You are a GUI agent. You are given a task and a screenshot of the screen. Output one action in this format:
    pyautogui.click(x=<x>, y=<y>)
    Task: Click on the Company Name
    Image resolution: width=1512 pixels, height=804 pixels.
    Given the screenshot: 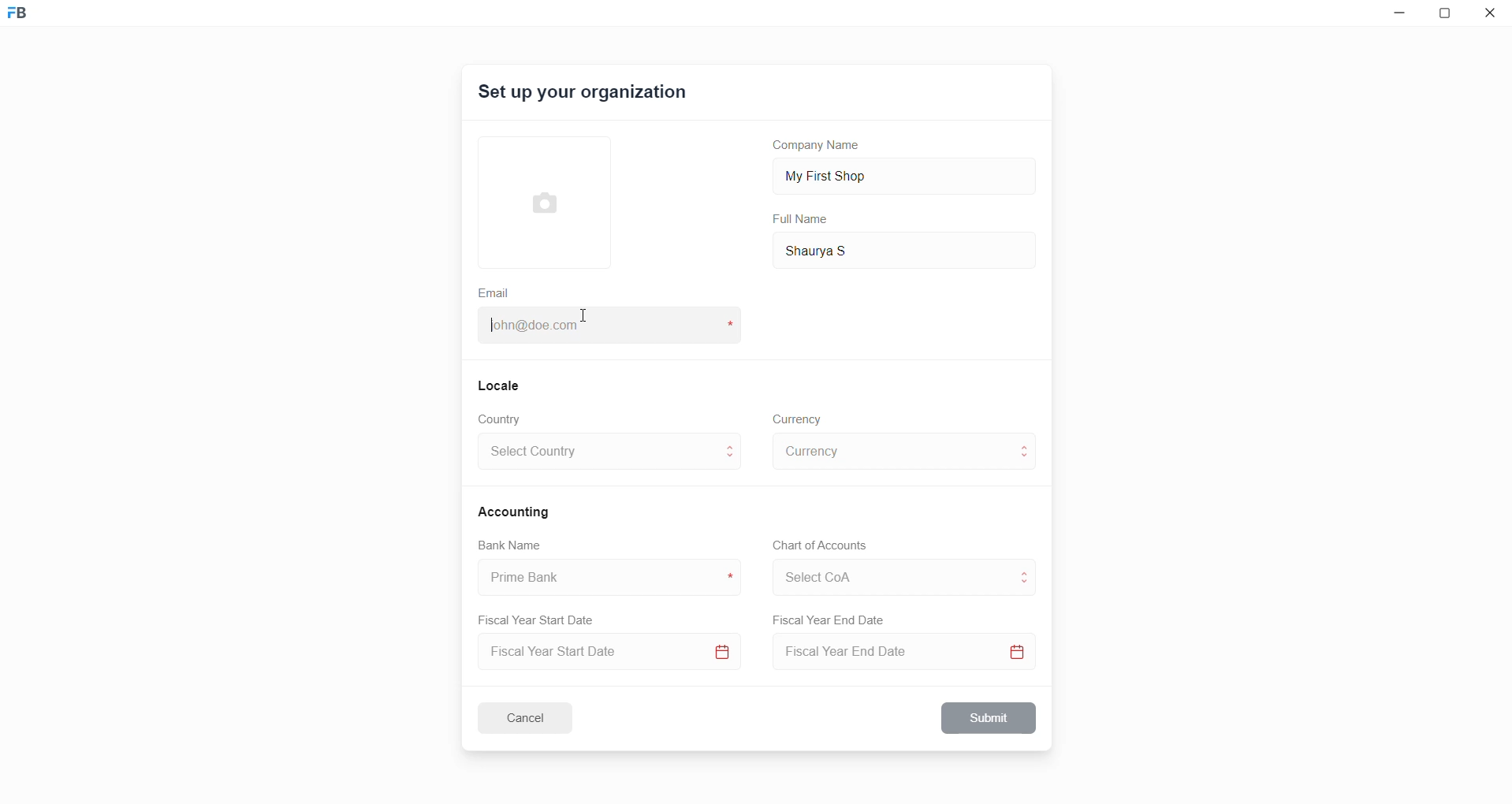 What is the action you would take?
    pyautogui.click(x=822, y=147)
    